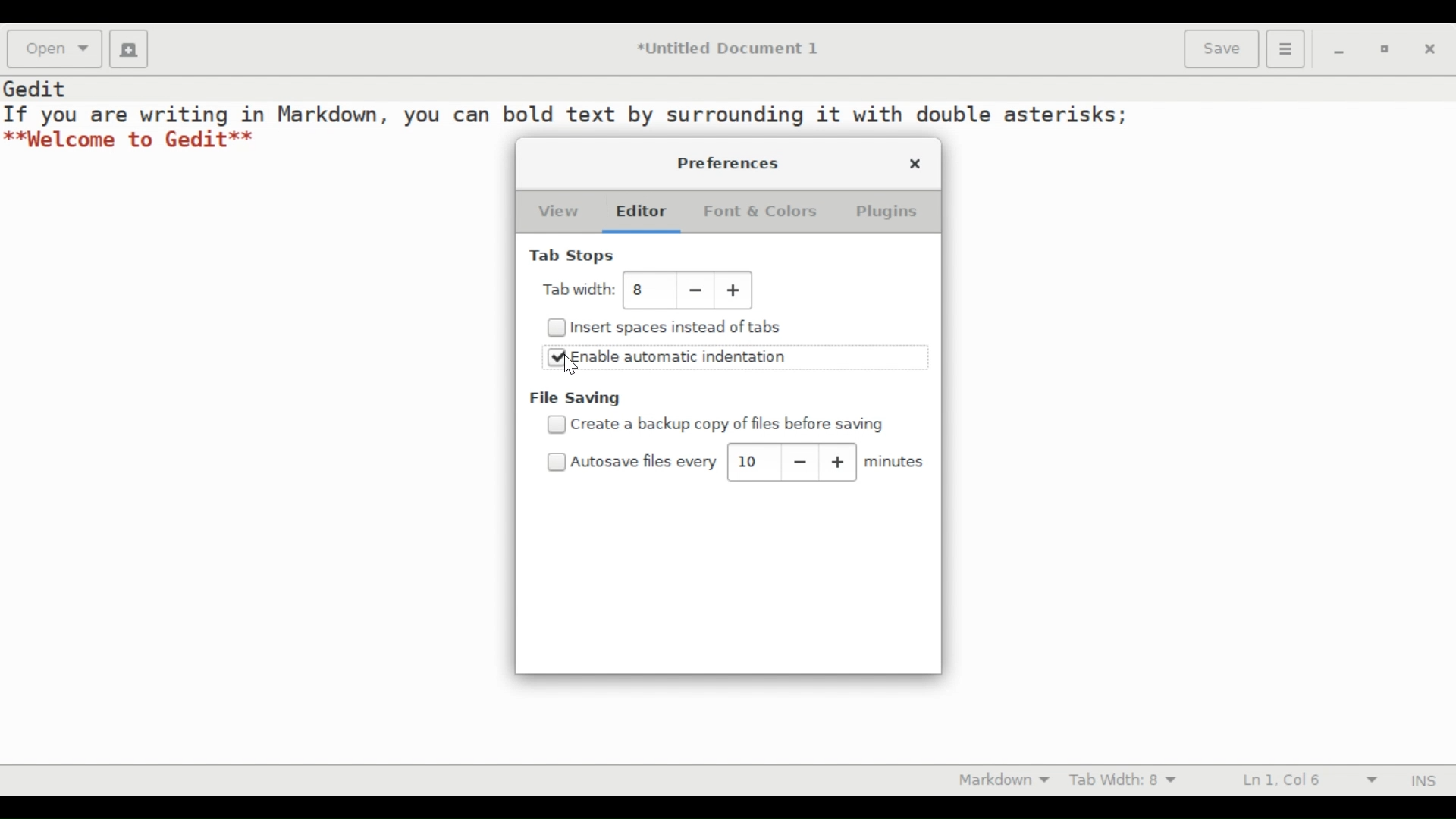  Describe the element at coordinates (680, 357) in the screenshot. I see `Enable automatic indentation` at that location.